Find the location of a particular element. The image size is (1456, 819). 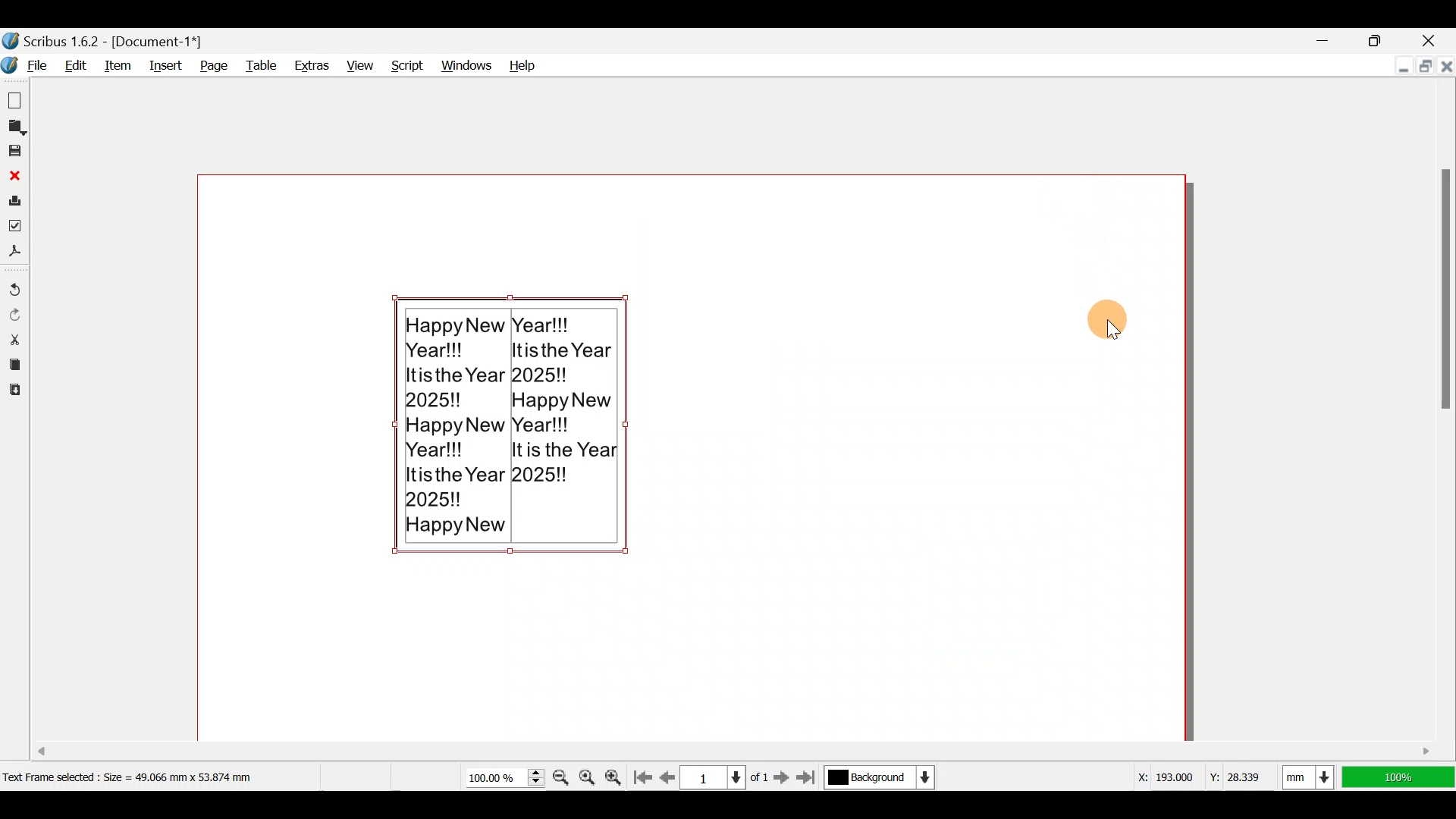

Preflight verifier is located at coordinates (17, 229).